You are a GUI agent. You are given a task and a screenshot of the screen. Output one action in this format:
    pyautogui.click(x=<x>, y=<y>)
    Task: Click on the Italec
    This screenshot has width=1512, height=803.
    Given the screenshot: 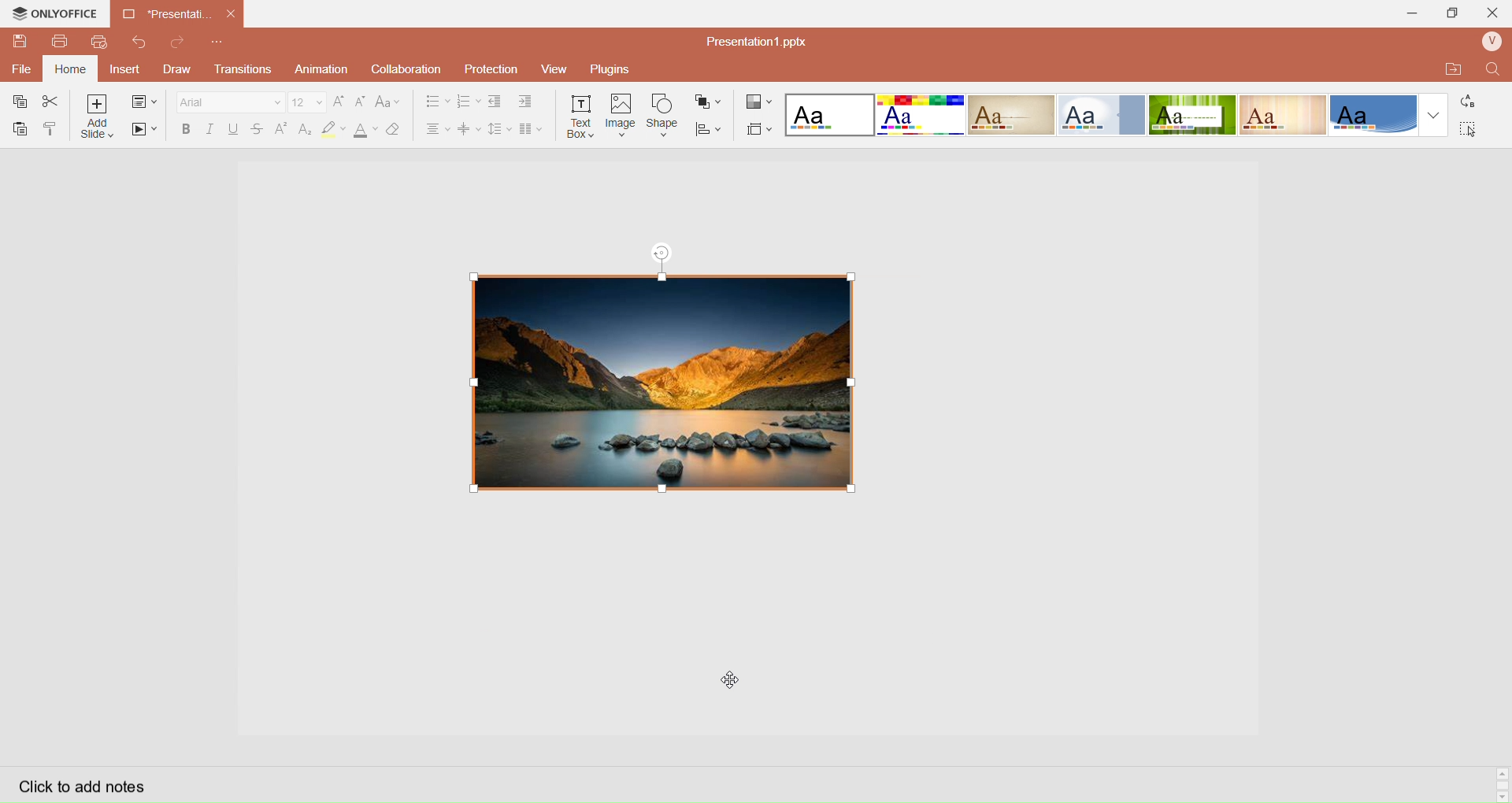 What is the action you would take?
    pyautogui.click(x=209, y=129)
    